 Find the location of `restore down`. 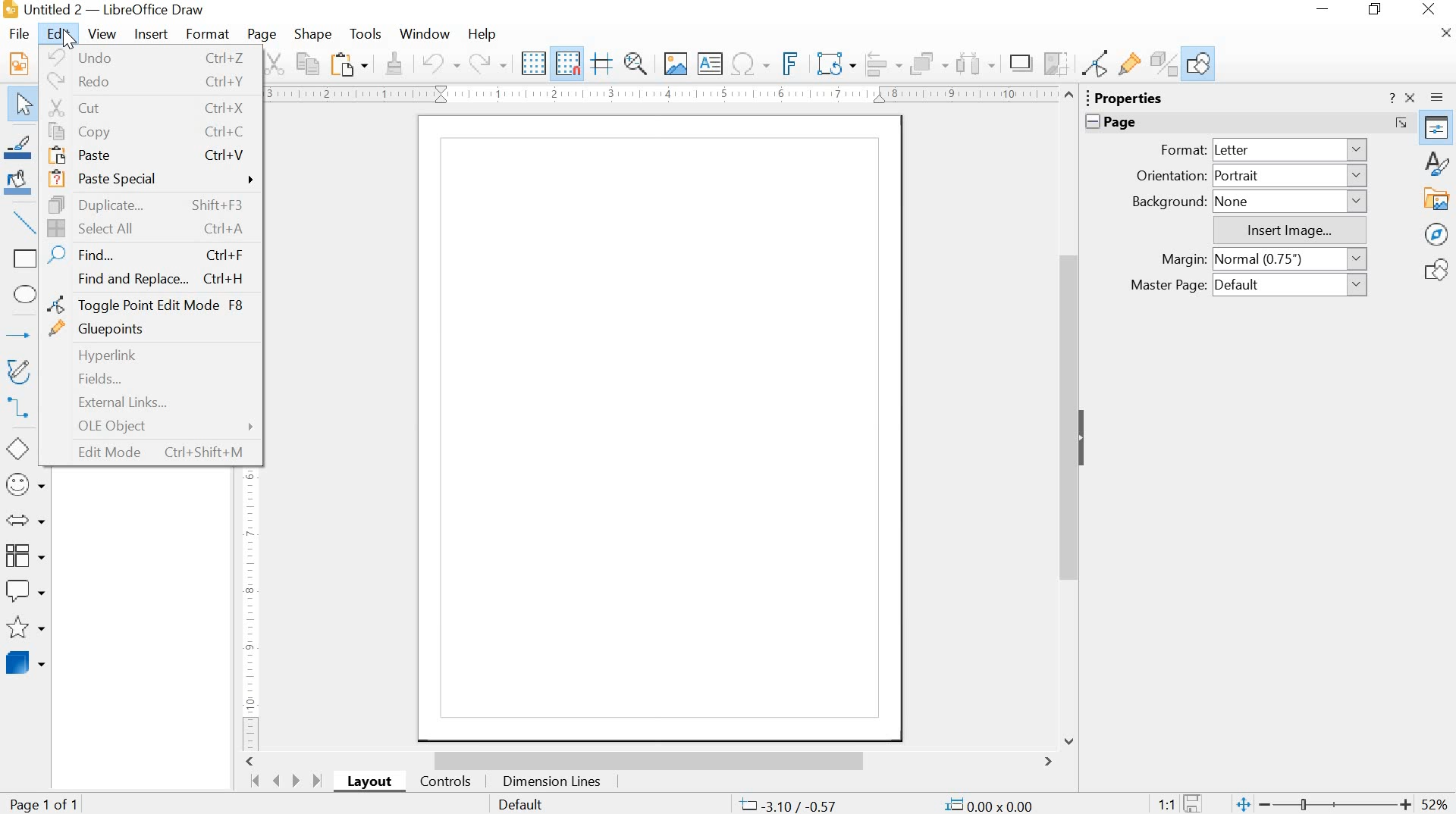

restore down is located at coordinates (1375, 11).